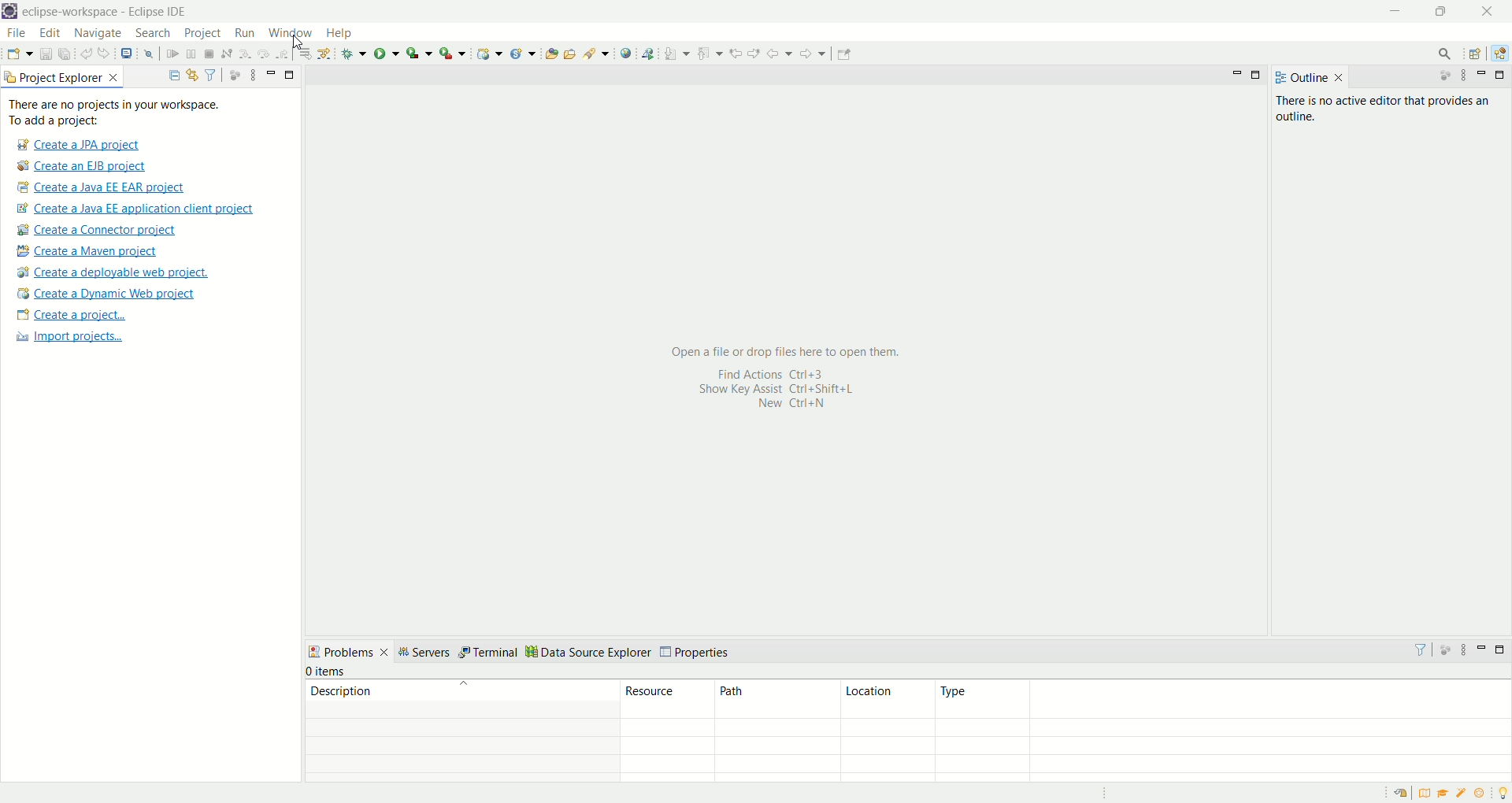 The image size is (1512, 803). I want to click on minimize, so click(1484, 75).